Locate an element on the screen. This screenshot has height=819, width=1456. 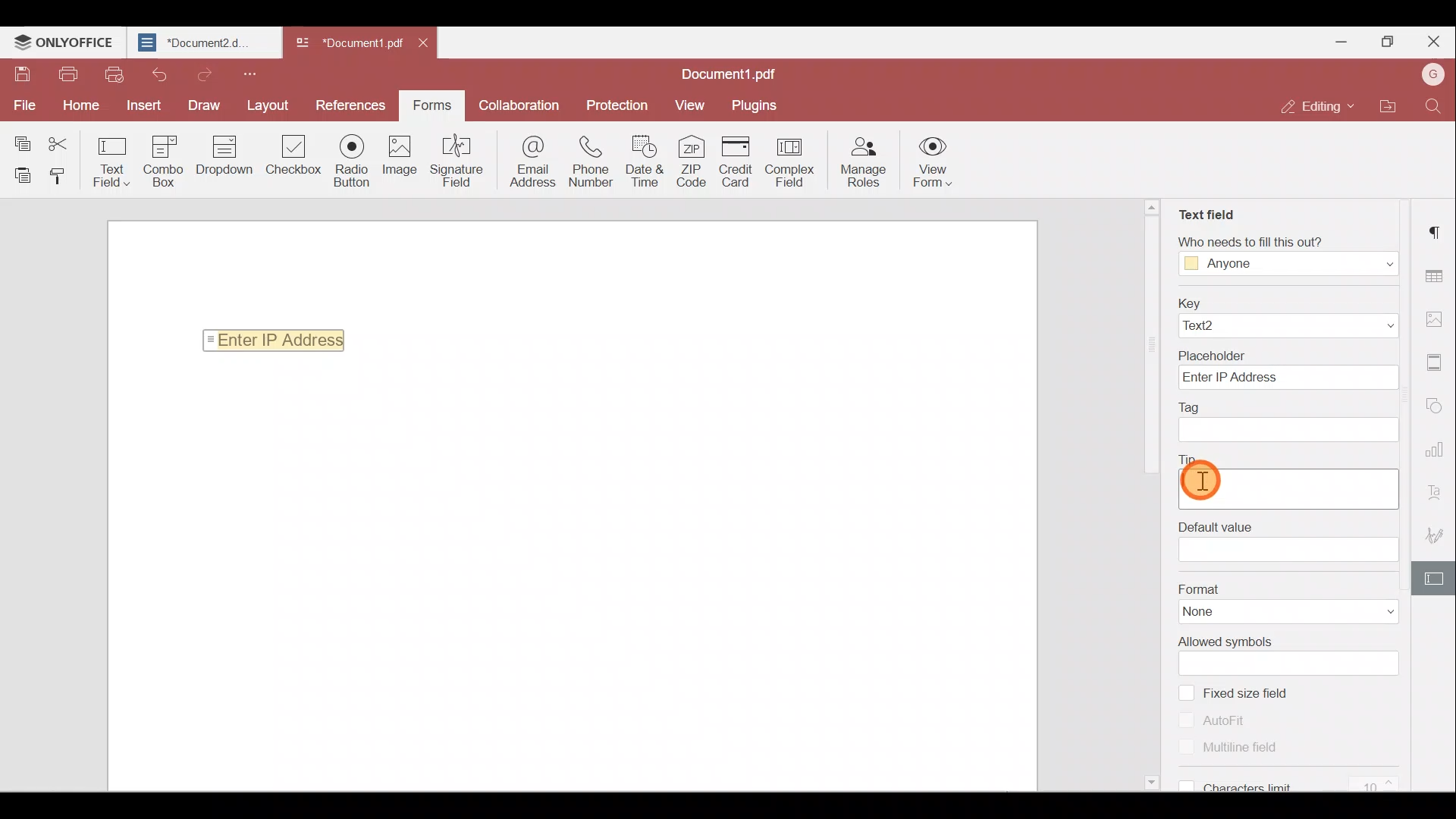
Paragraph settings is located at coordinates (1437, 231).